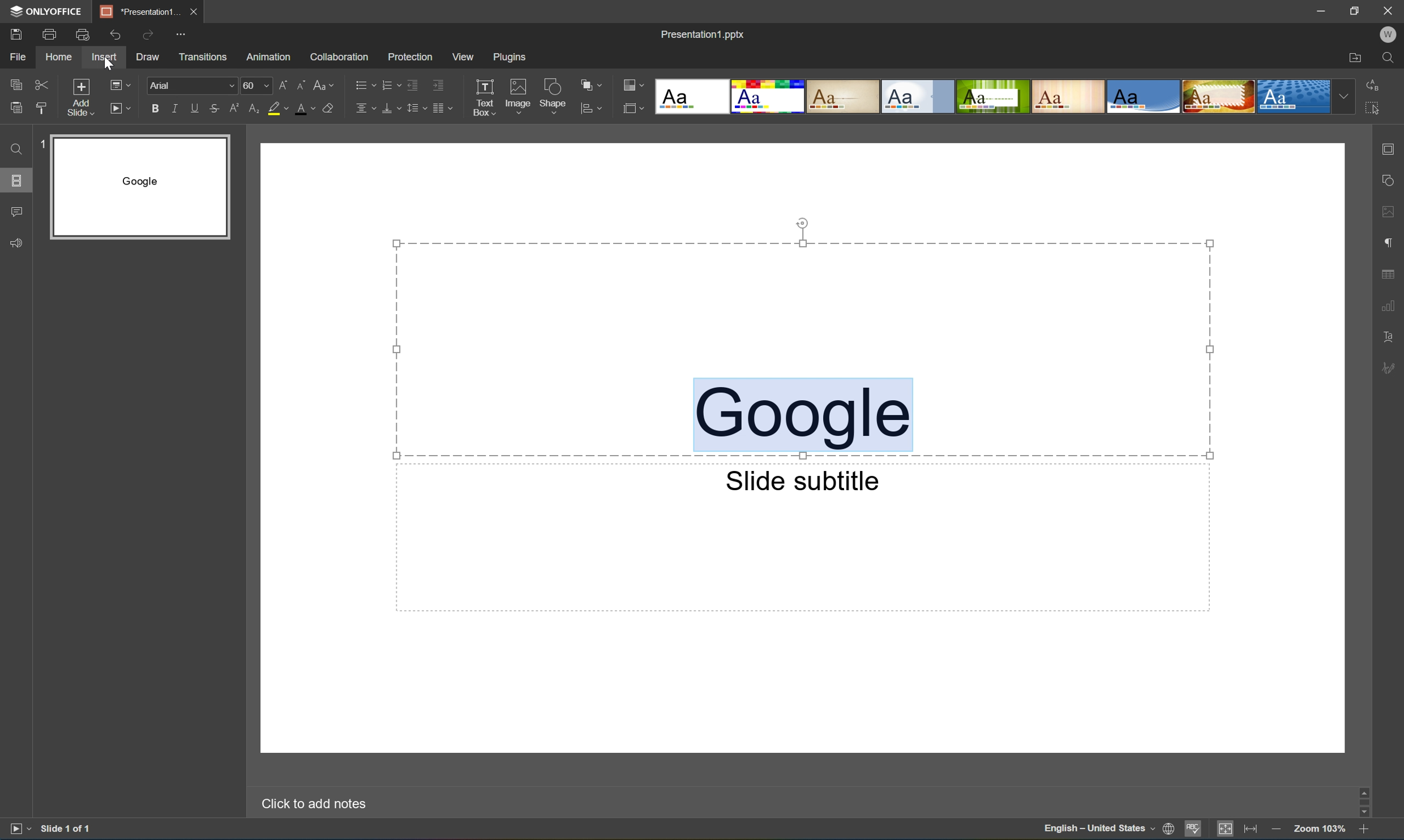 The image size is (1404, 840). I want to click on Spell checking, so click(1194, 830).